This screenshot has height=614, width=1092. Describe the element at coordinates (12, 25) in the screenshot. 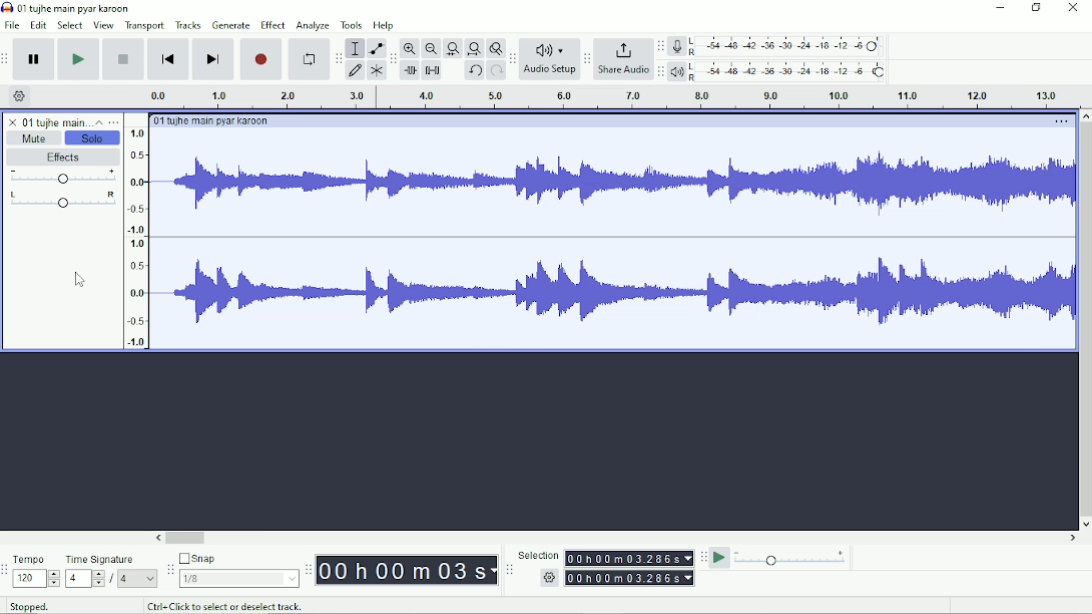

I see `File` at that location.